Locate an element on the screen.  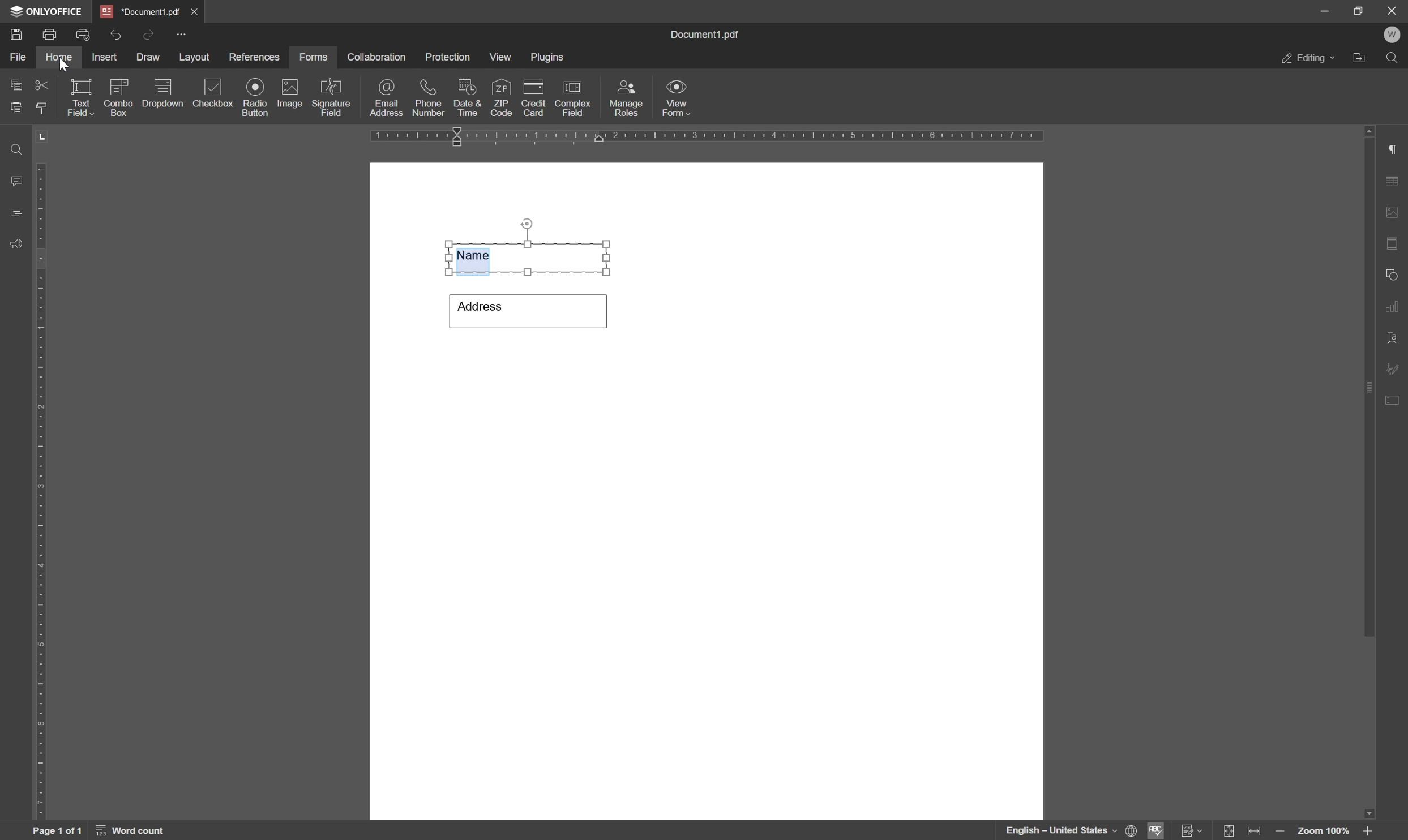
editing is located at coordinates (1307, 59).